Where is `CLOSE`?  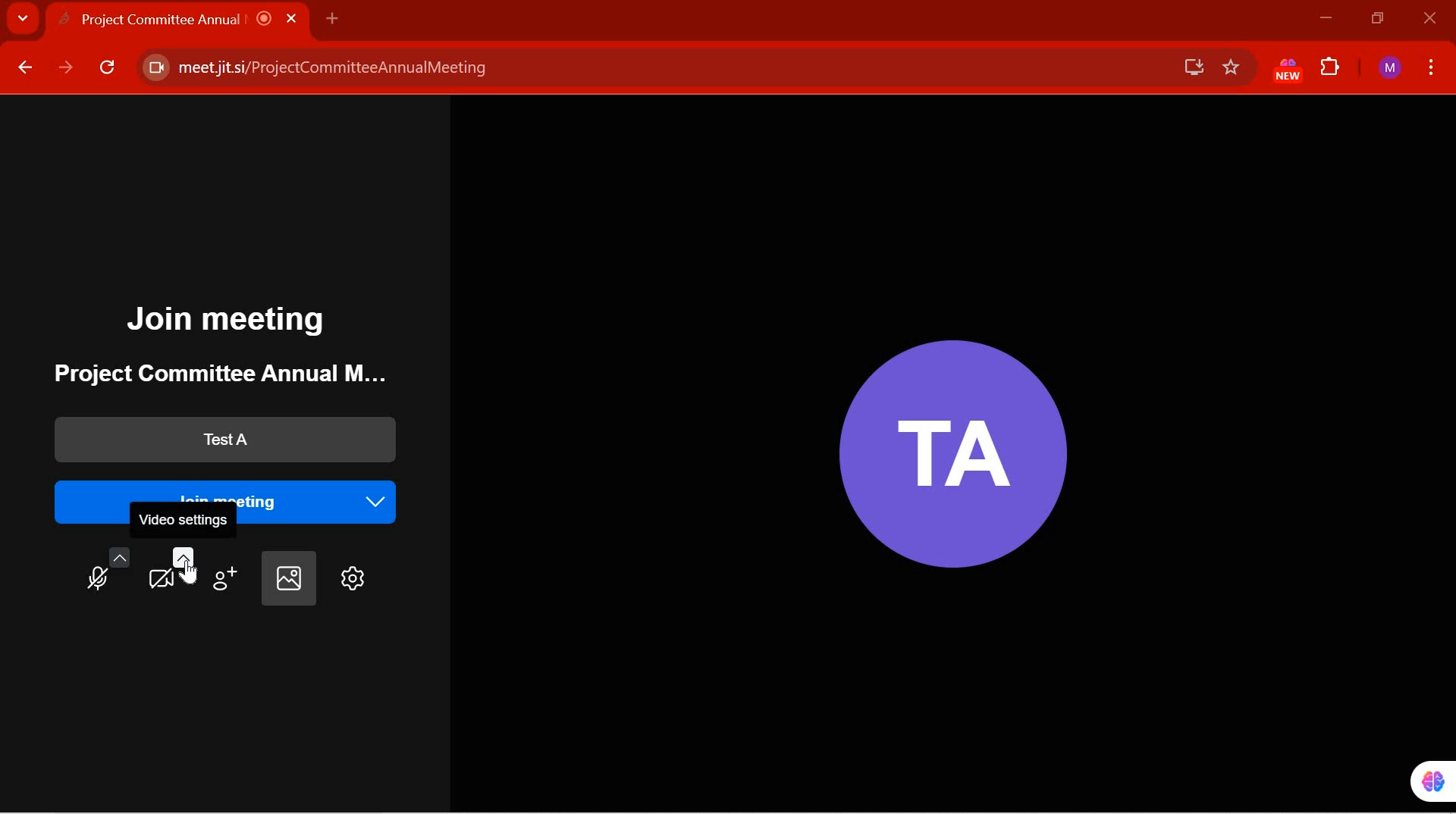
CLOSE is located at coordinates (1427, 19).